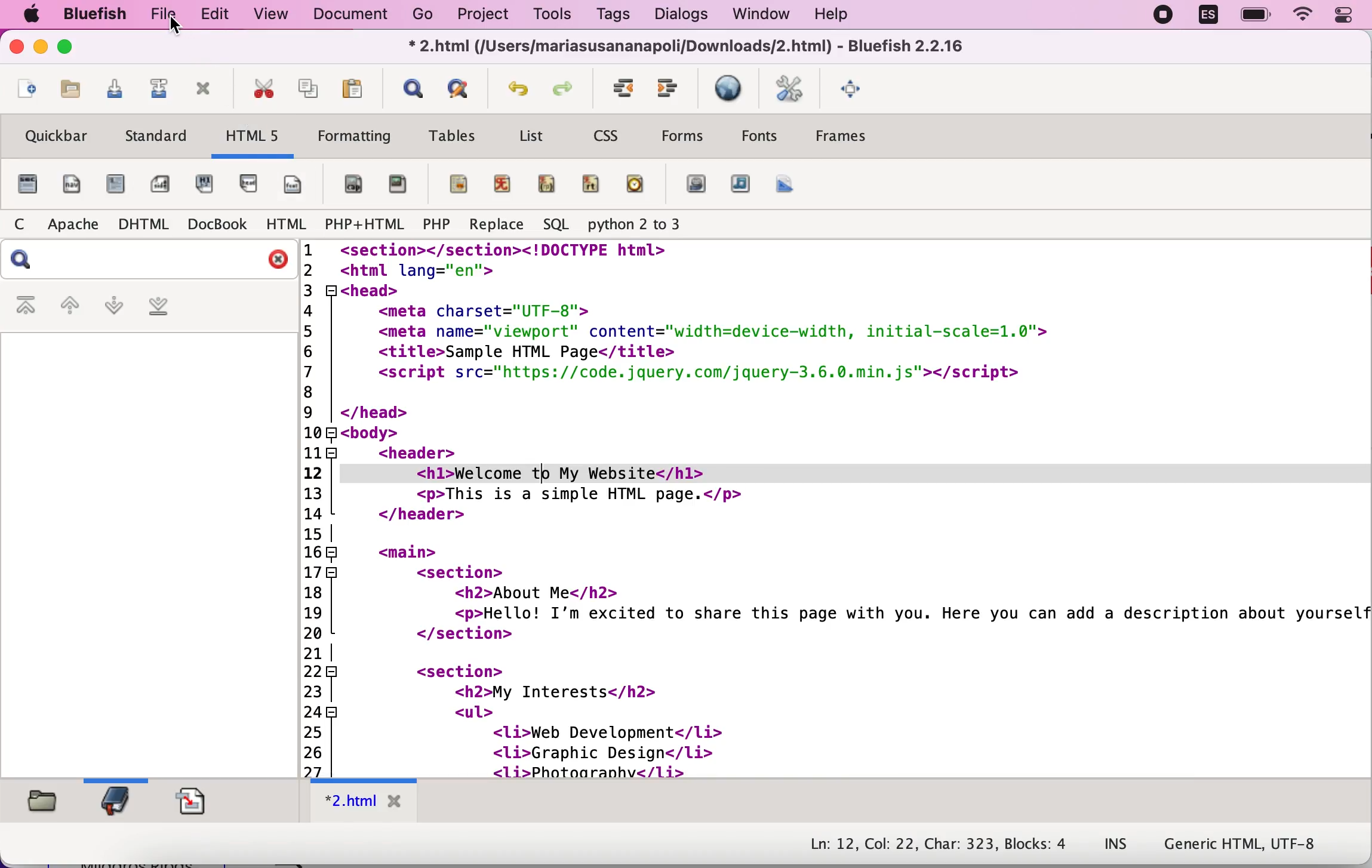  Describe the element at coordinates (612, 14) in the screenshot. I see `tags` at that location.